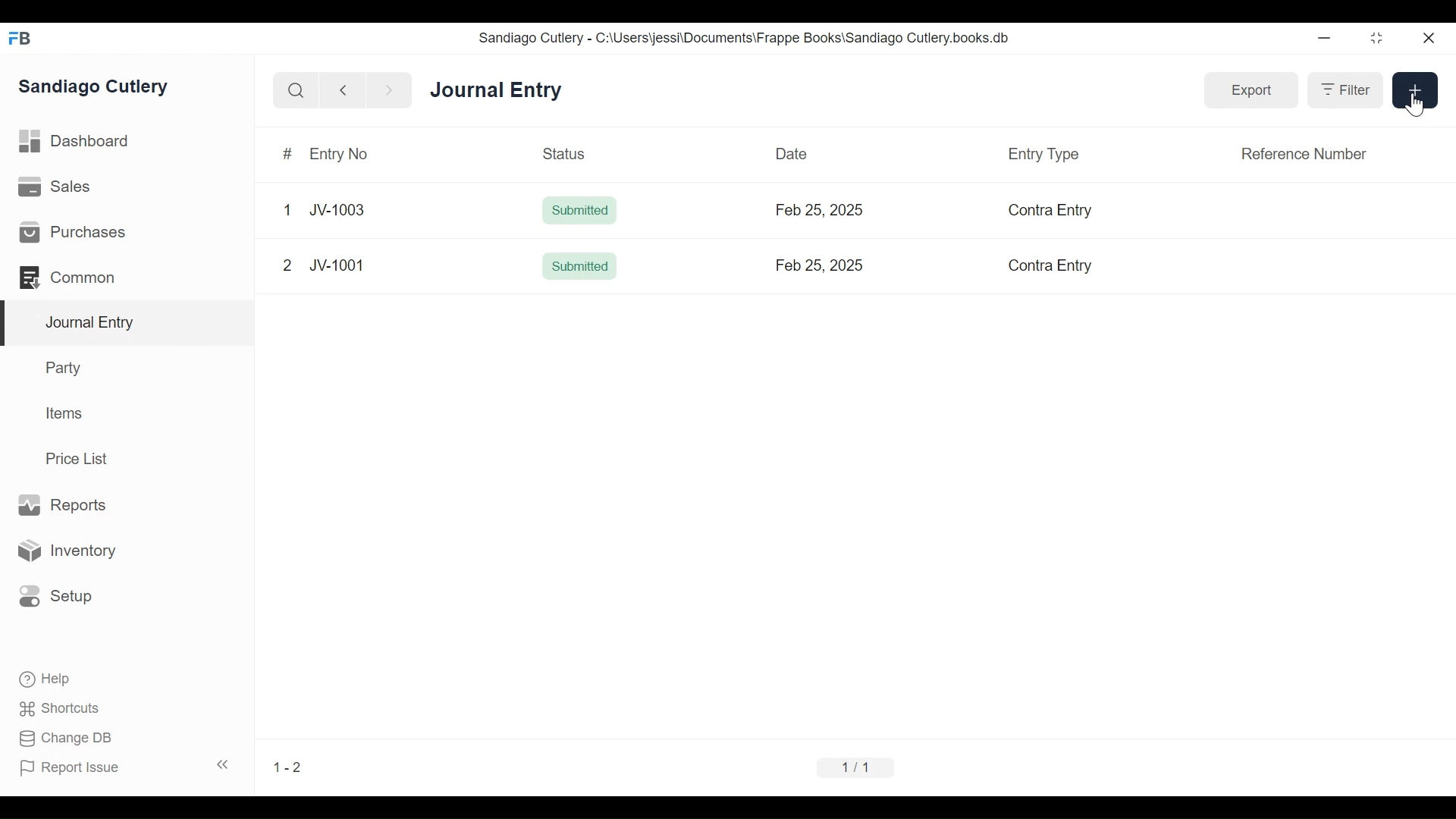  What do you see at coordinates (1044, 154) in the screenshot?
I see `Entry Type` at bounding box center [1044, 154].